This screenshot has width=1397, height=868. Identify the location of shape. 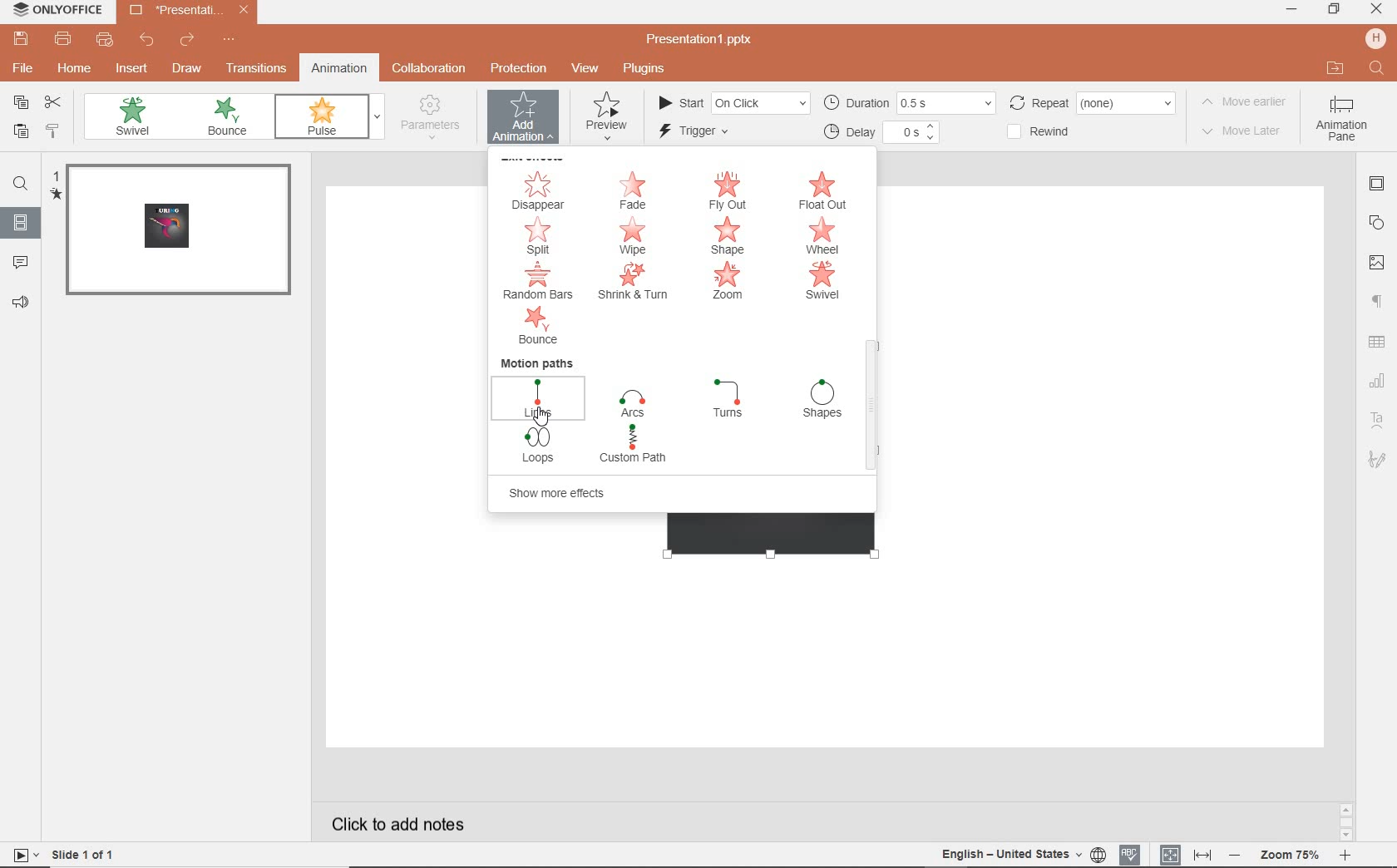
(1377, 223).